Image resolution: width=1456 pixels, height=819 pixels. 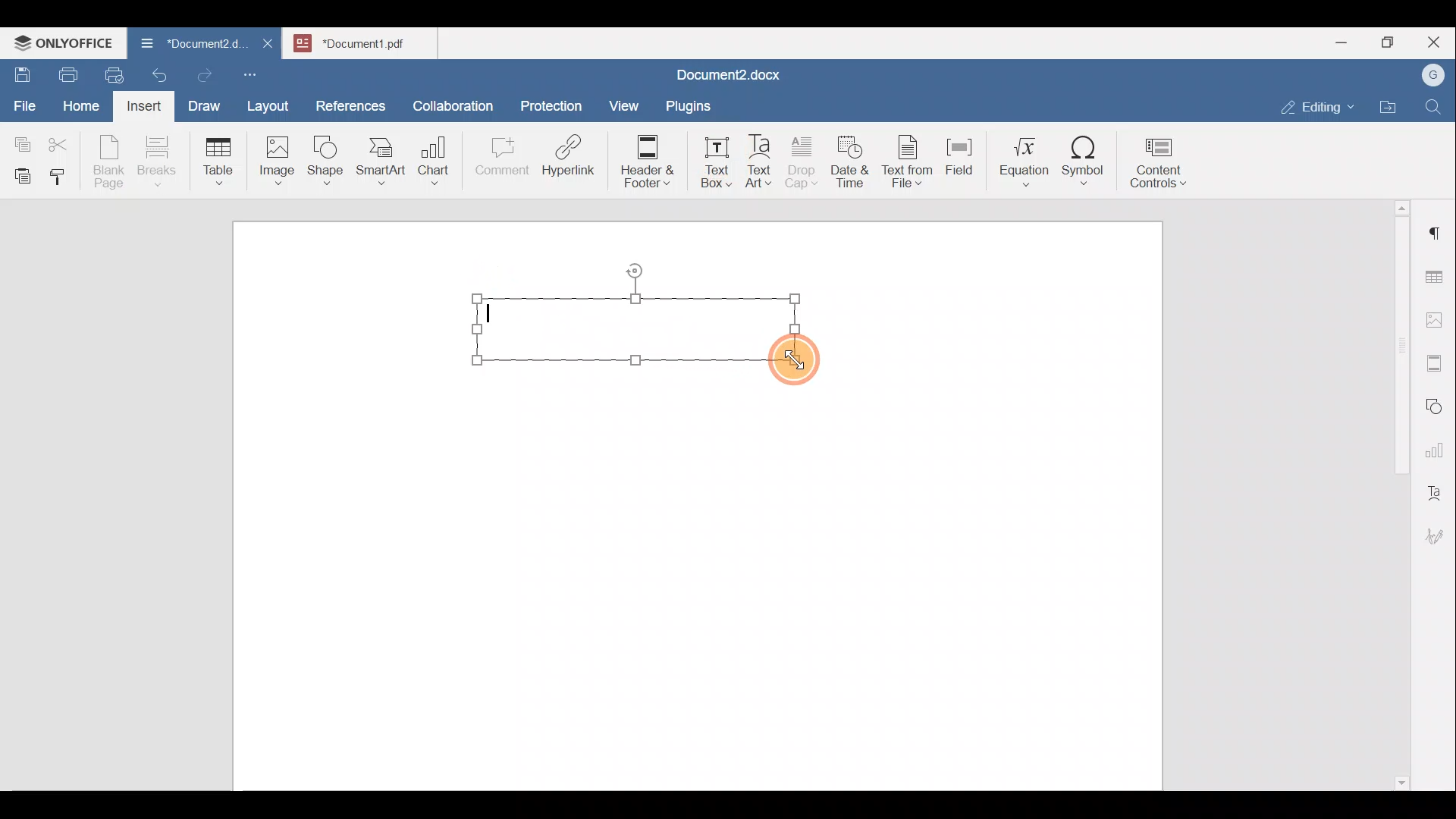 I want to click on Cut, so click(x=64, y=141).